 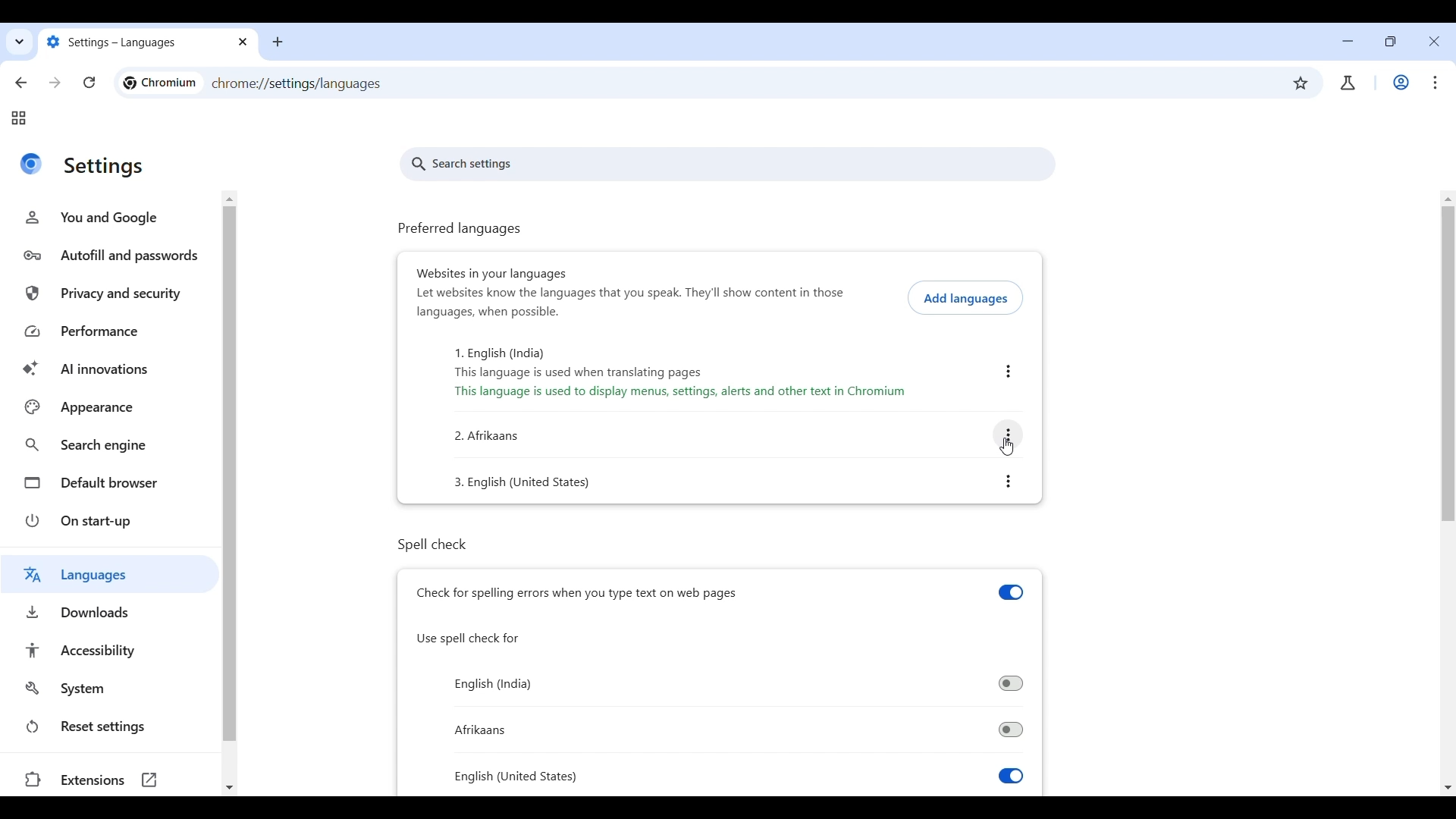 What do you see at coordinates (112, 689) in the screenshot?
I see `System` at bounding box center [112, 689].